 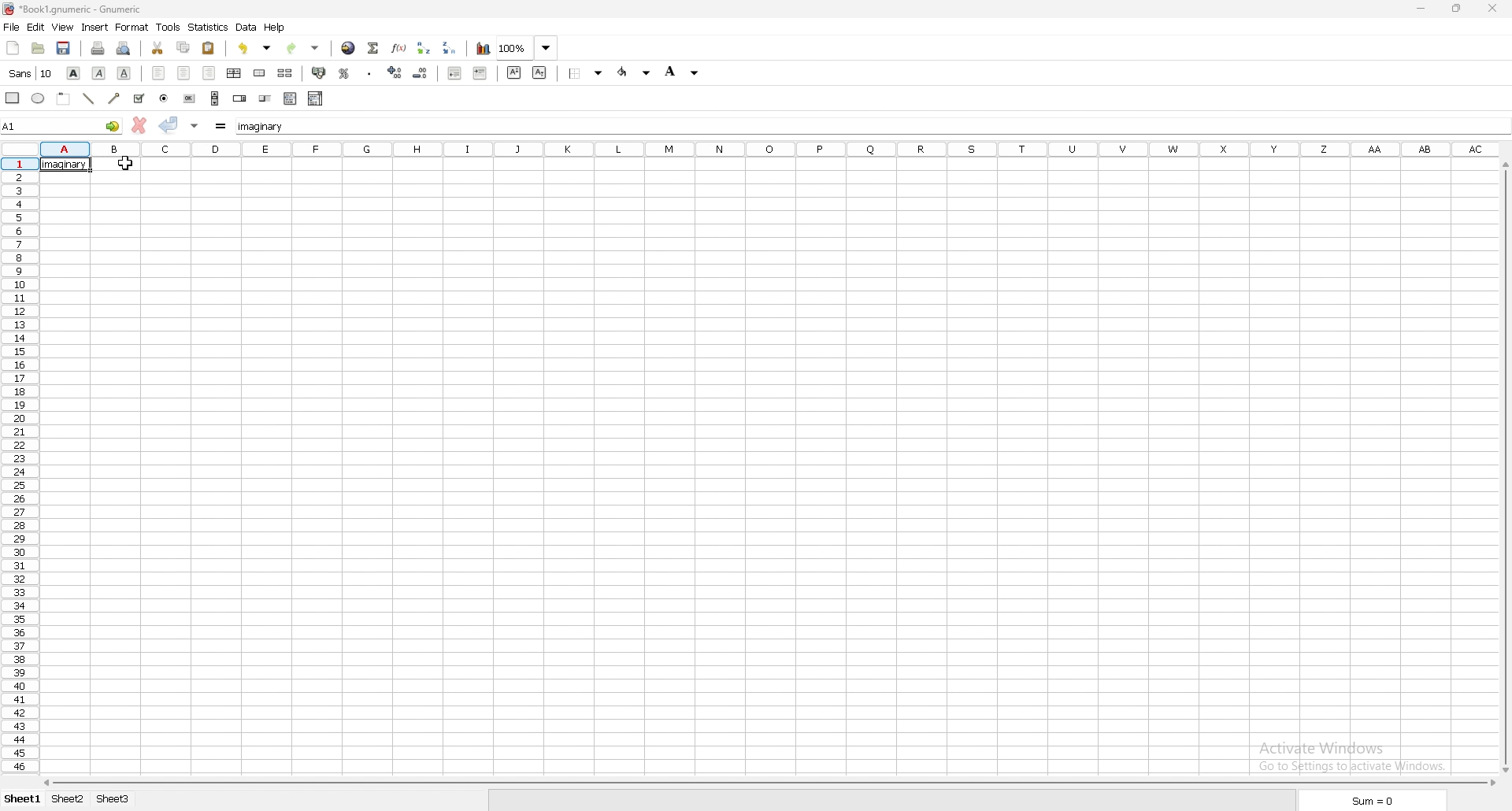 I want to click on minimize, so click(x=1421, y=8).